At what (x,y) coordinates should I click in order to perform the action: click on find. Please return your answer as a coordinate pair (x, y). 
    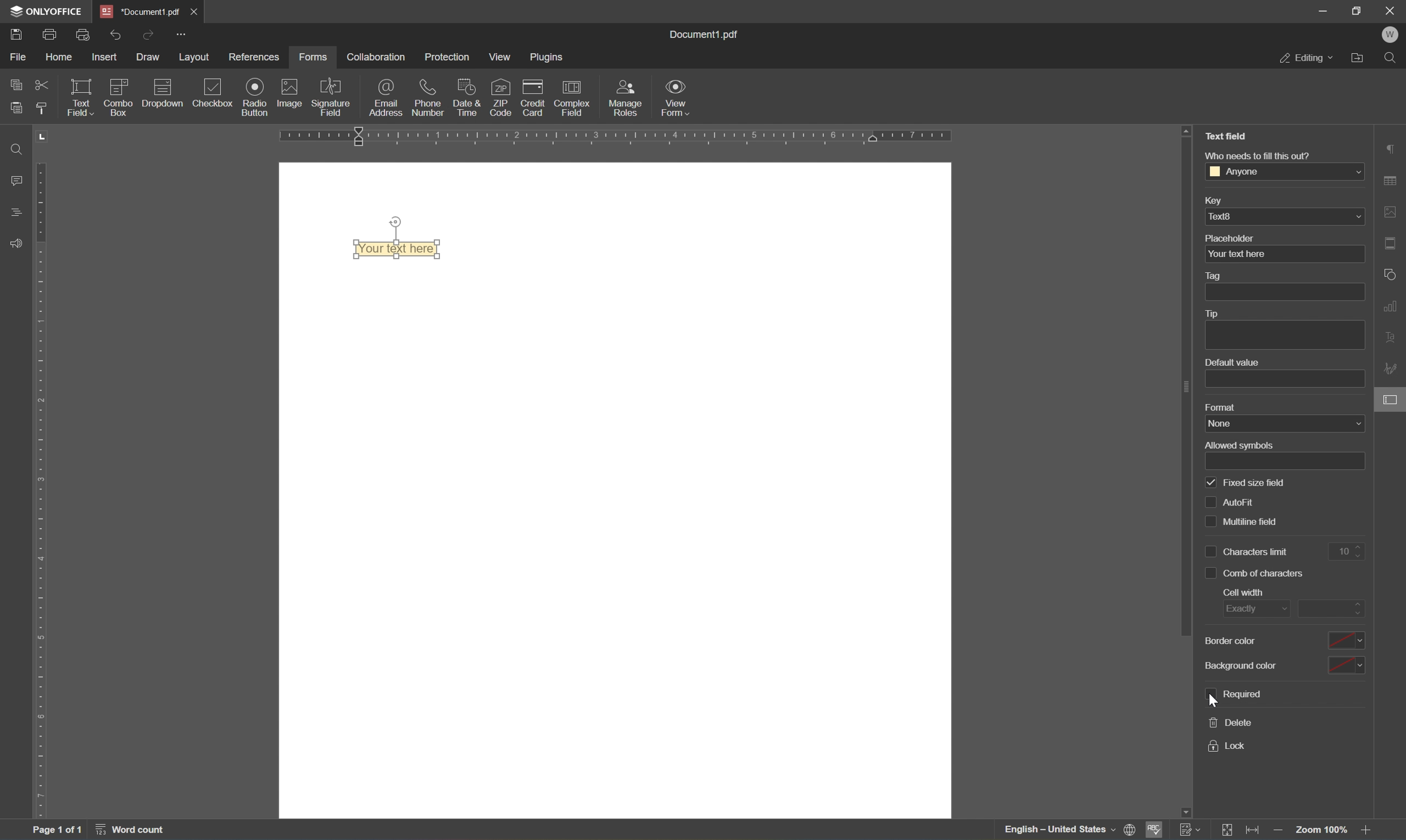
    Looking at the image, I should click on (1390, 59).